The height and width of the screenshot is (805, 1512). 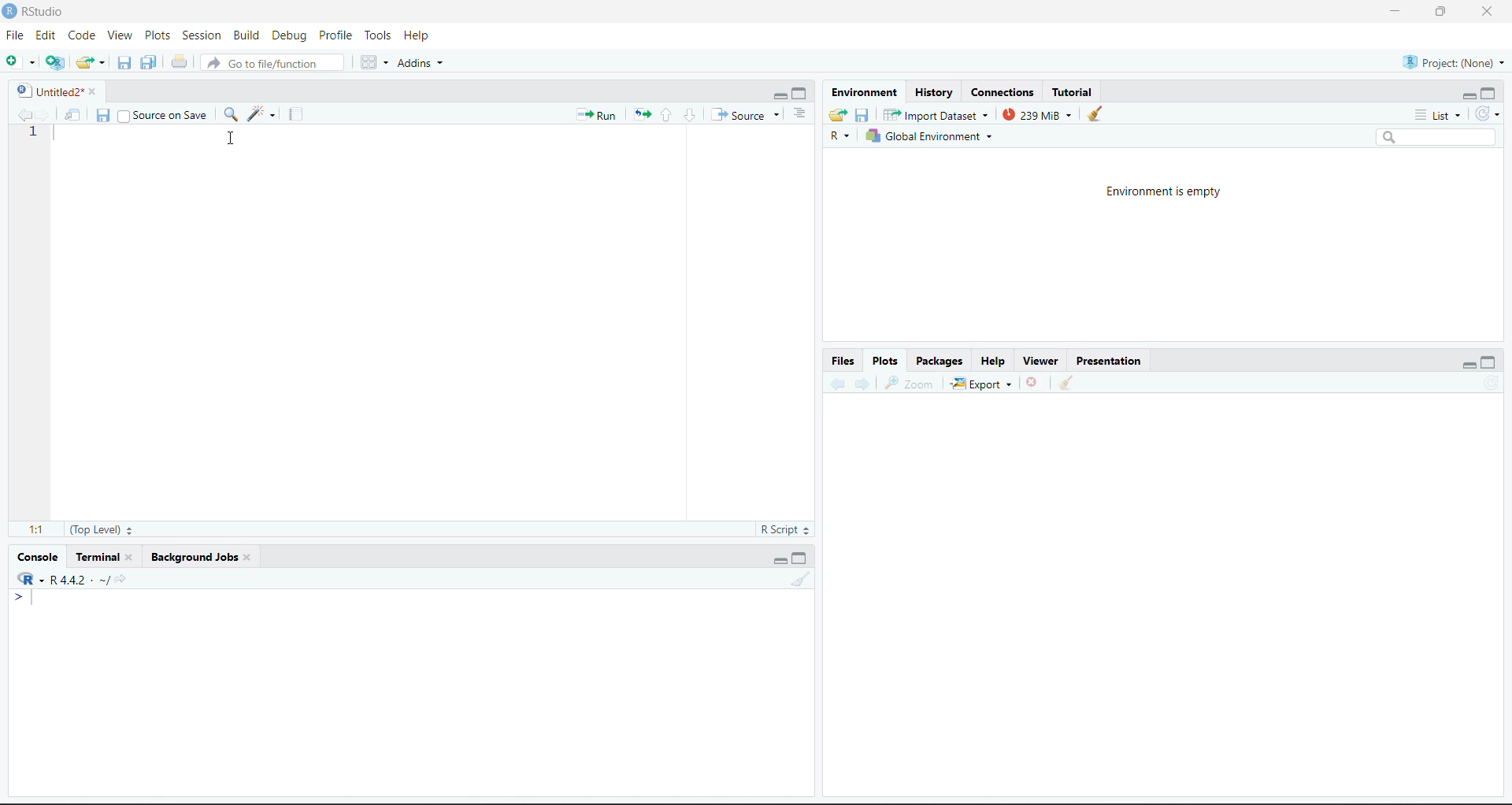 I want to click on Re-run the previous code region (Ctrl + Alt + P), so click(x=642, y=114).